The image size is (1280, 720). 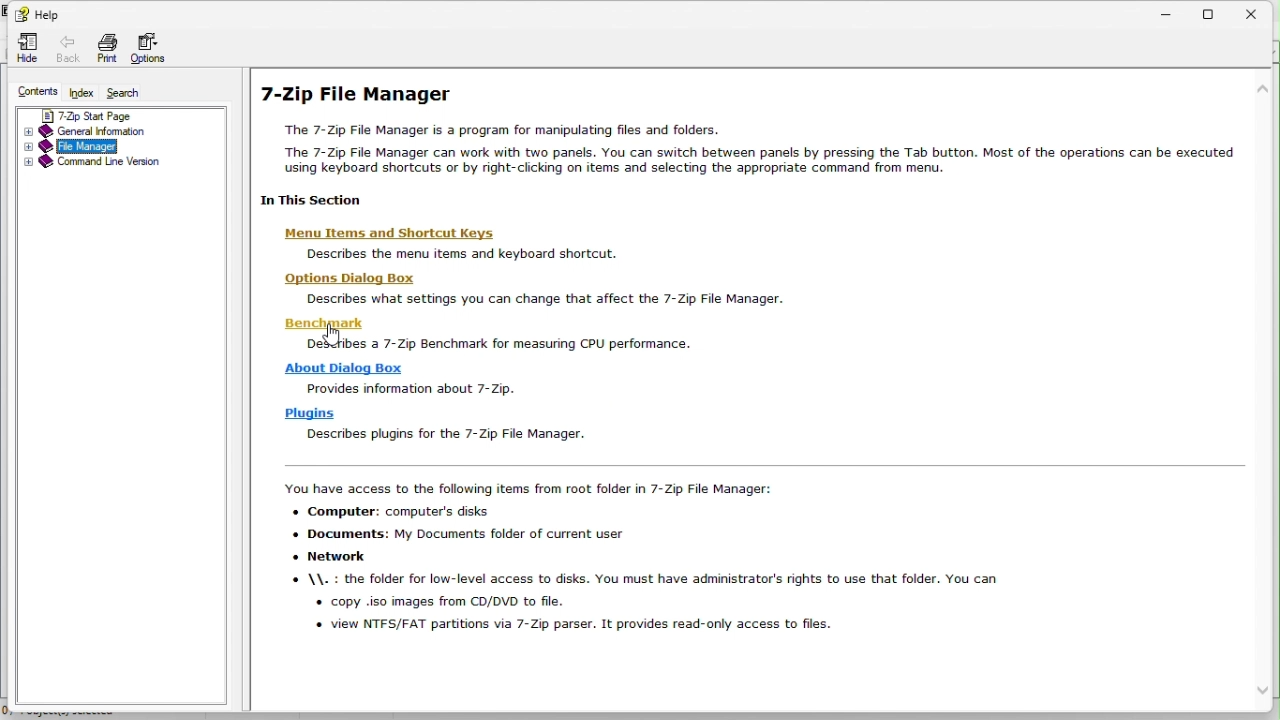 What do you see at coordinates (25, 45) in the screenshot?
I see `Hide` at bounding box center [25, 45].